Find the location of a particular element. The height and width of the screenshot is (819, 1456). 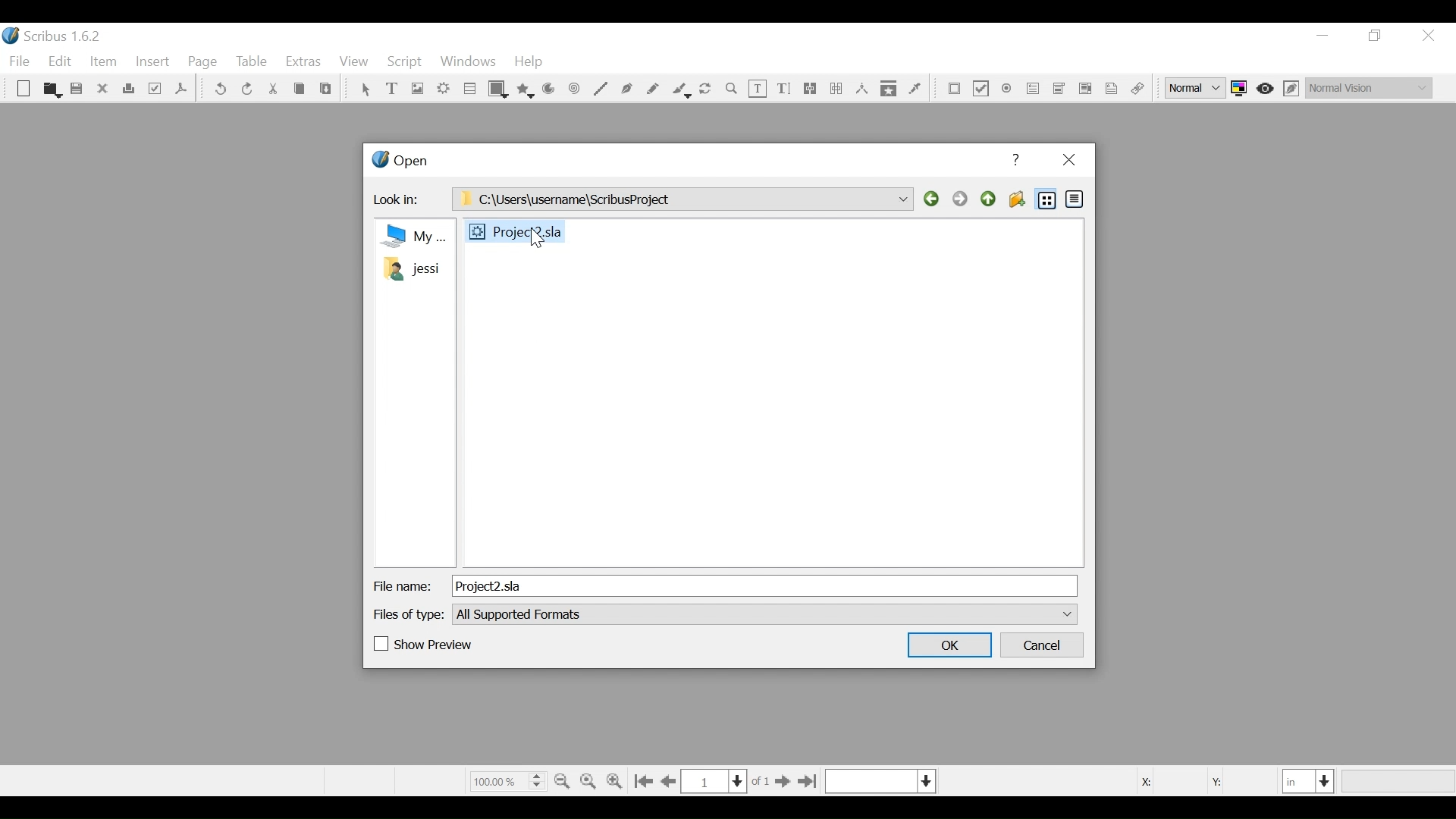

New is located at coordinates (24, 90).